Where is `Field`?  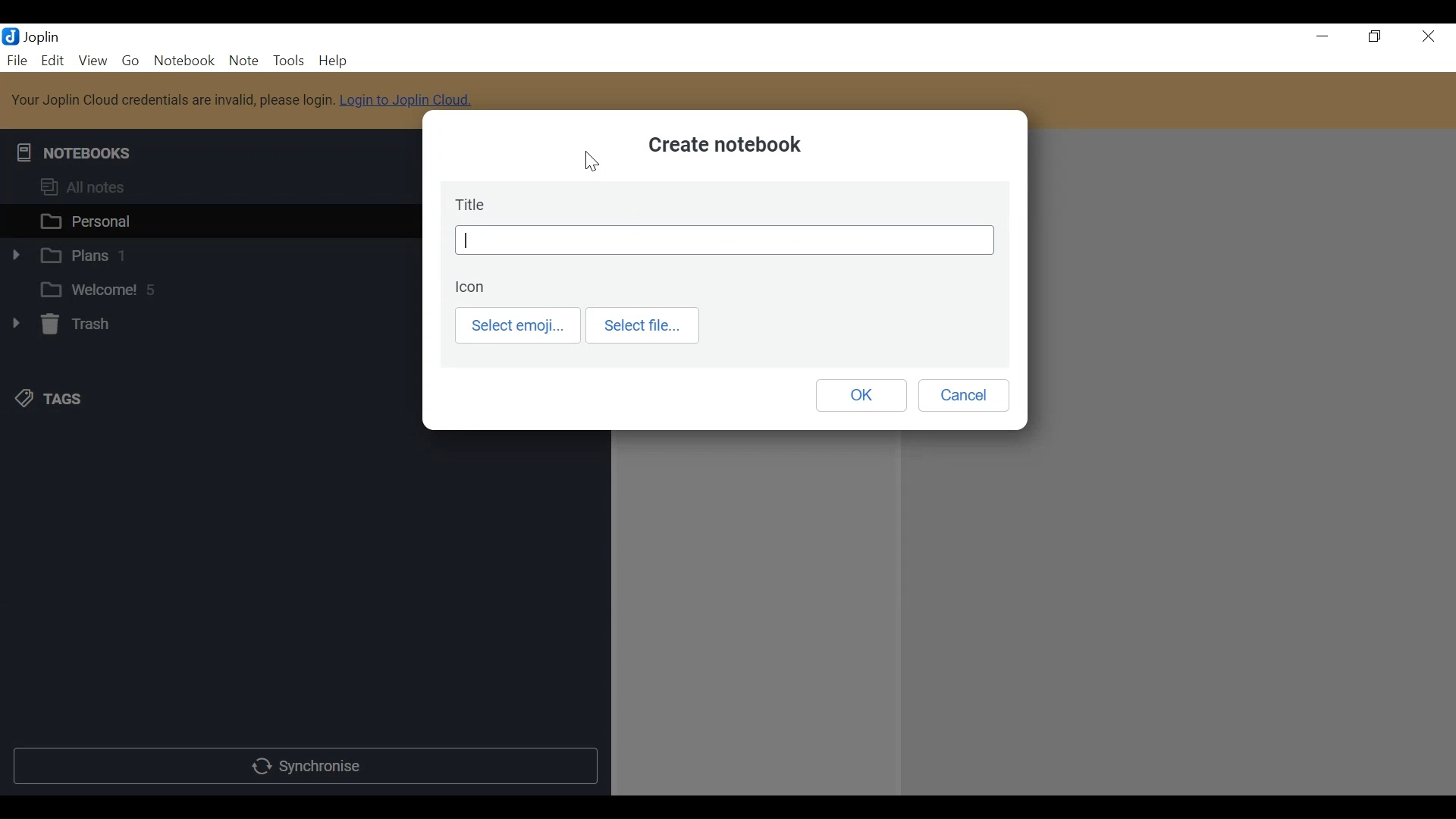 Field is located at coordinates (723, 240).